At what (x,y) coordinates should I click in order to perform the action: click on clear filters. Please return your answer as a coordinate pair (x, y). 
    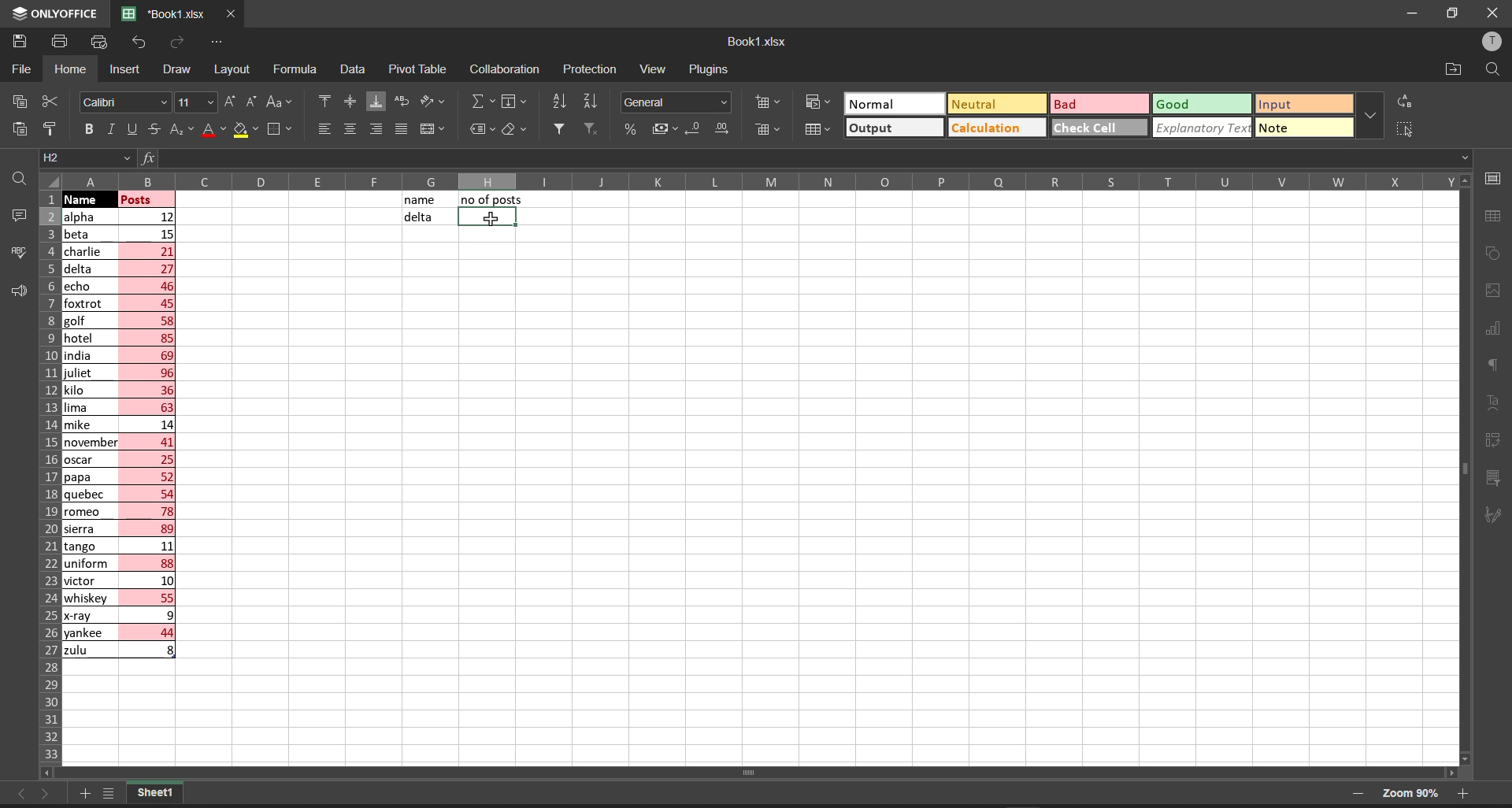
    Looking at the image, I should click on (591, 128).